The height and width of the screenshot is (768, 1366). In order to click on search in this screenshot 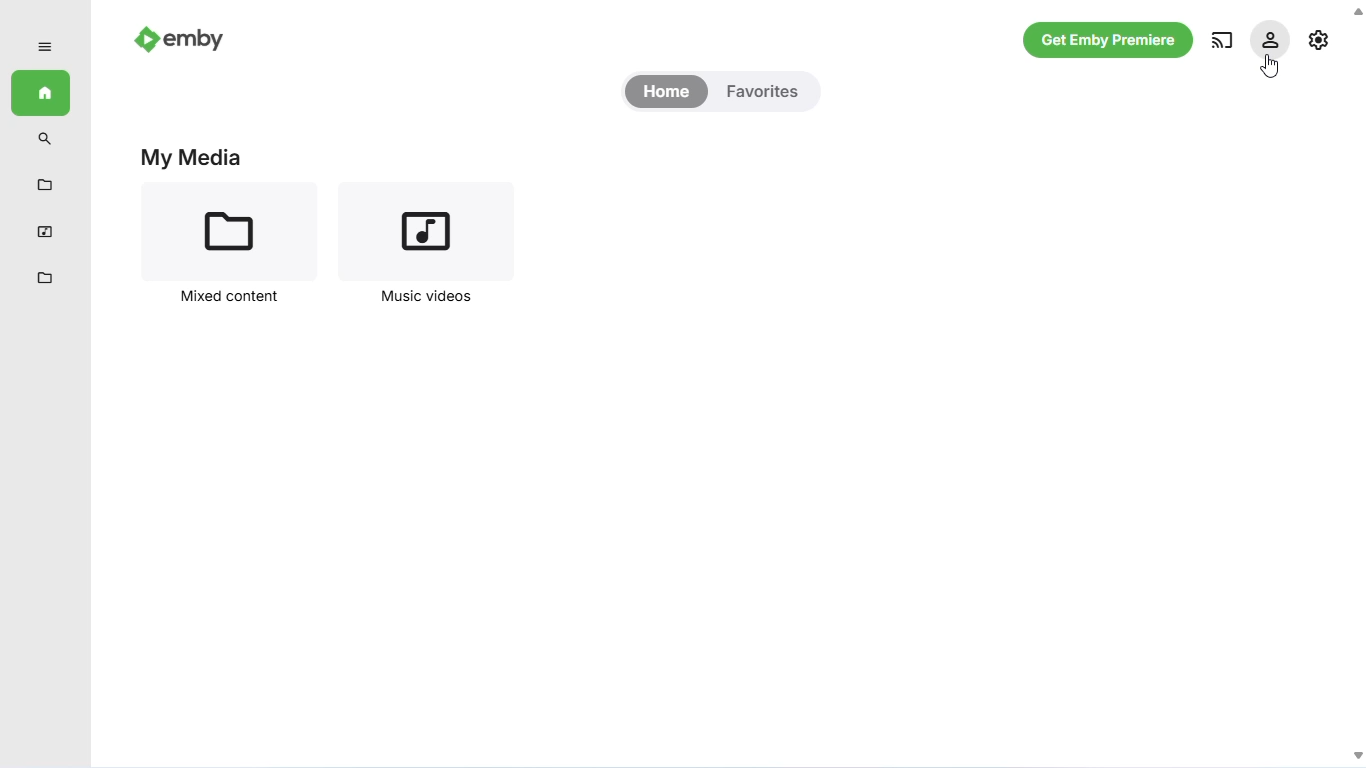, I will do `click(46, 139)`.